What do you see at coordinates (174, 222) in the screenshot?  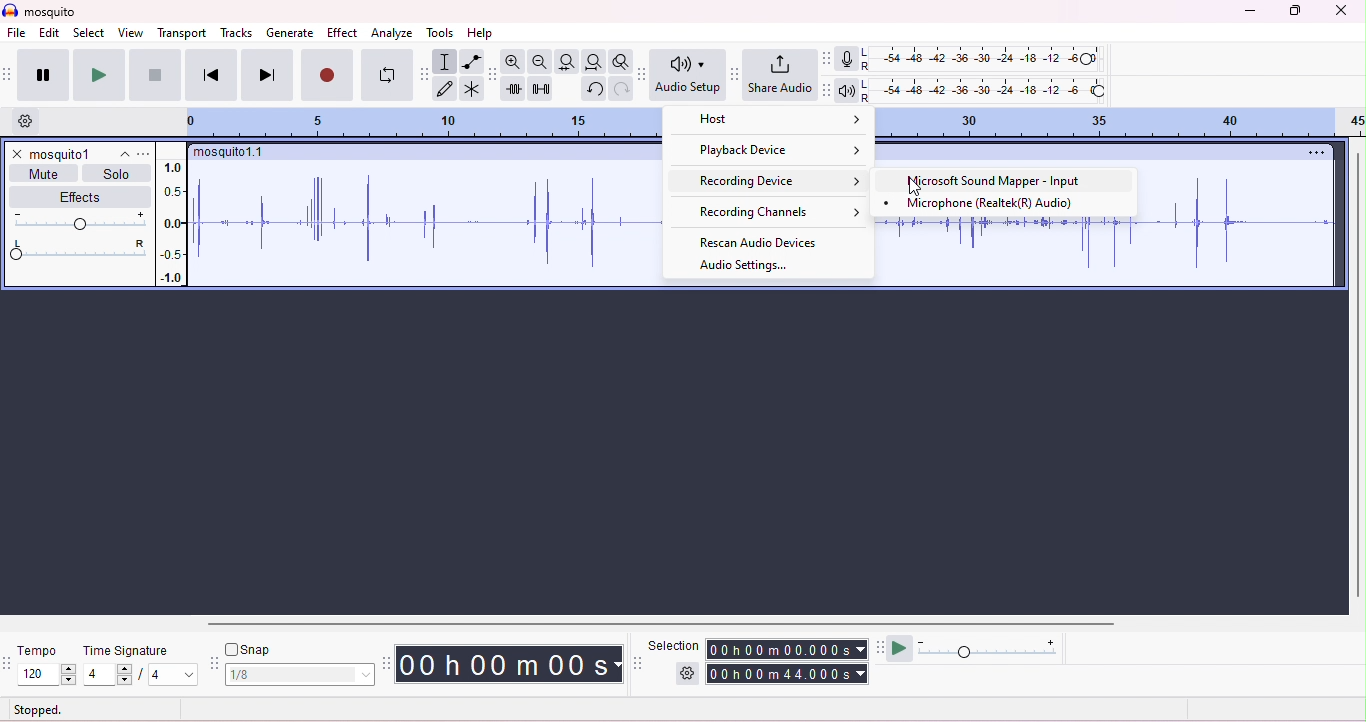 I see `amplitude` at bounding box center [174, 222].